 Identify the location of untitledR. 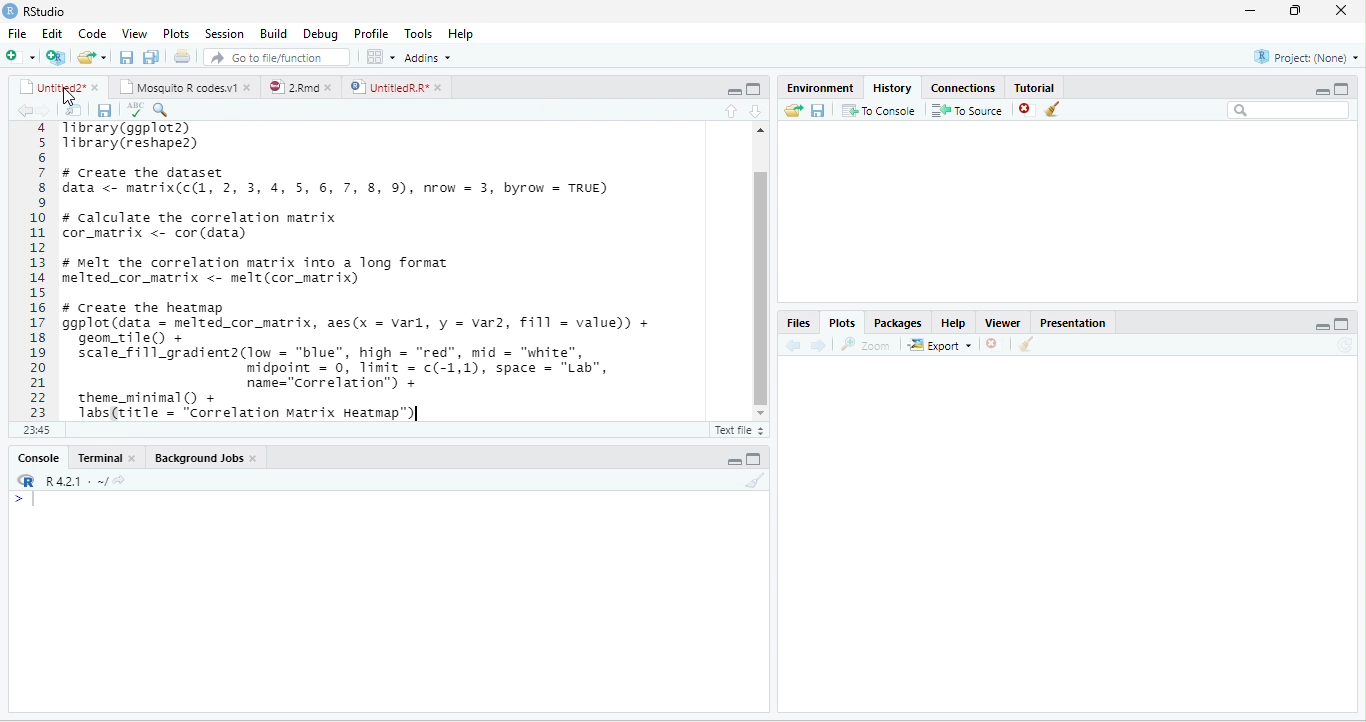
(395, 87).